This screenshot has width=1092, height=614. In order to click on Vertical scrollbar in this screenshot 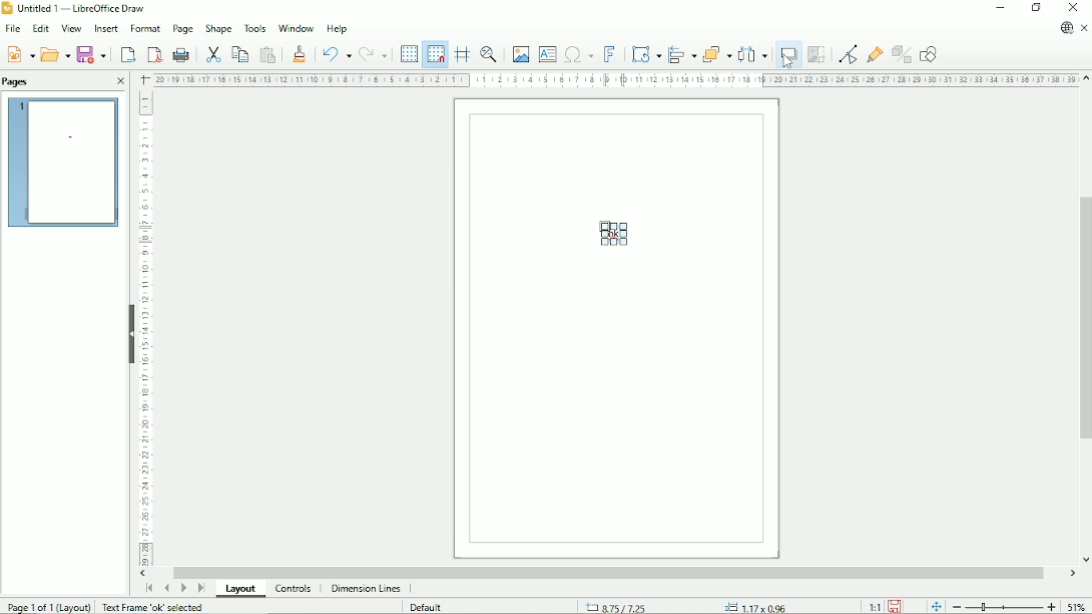, I will do `click(1083, 321)`.